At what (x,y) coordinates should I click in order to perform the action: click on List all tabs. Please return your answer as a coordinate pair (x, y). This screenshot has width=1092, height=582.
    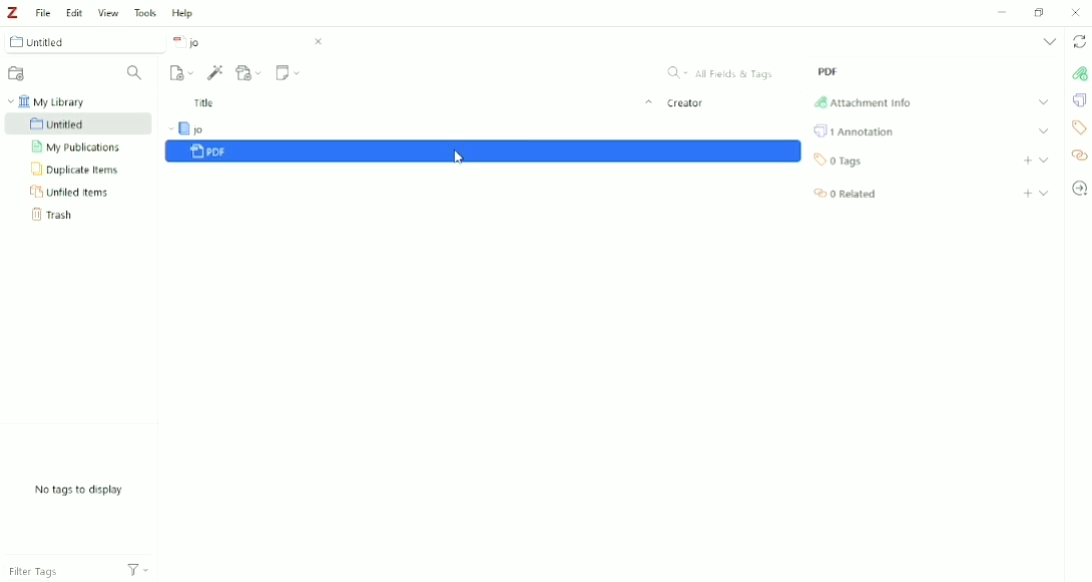
    Looking at the image, I should click on (1048, 42).